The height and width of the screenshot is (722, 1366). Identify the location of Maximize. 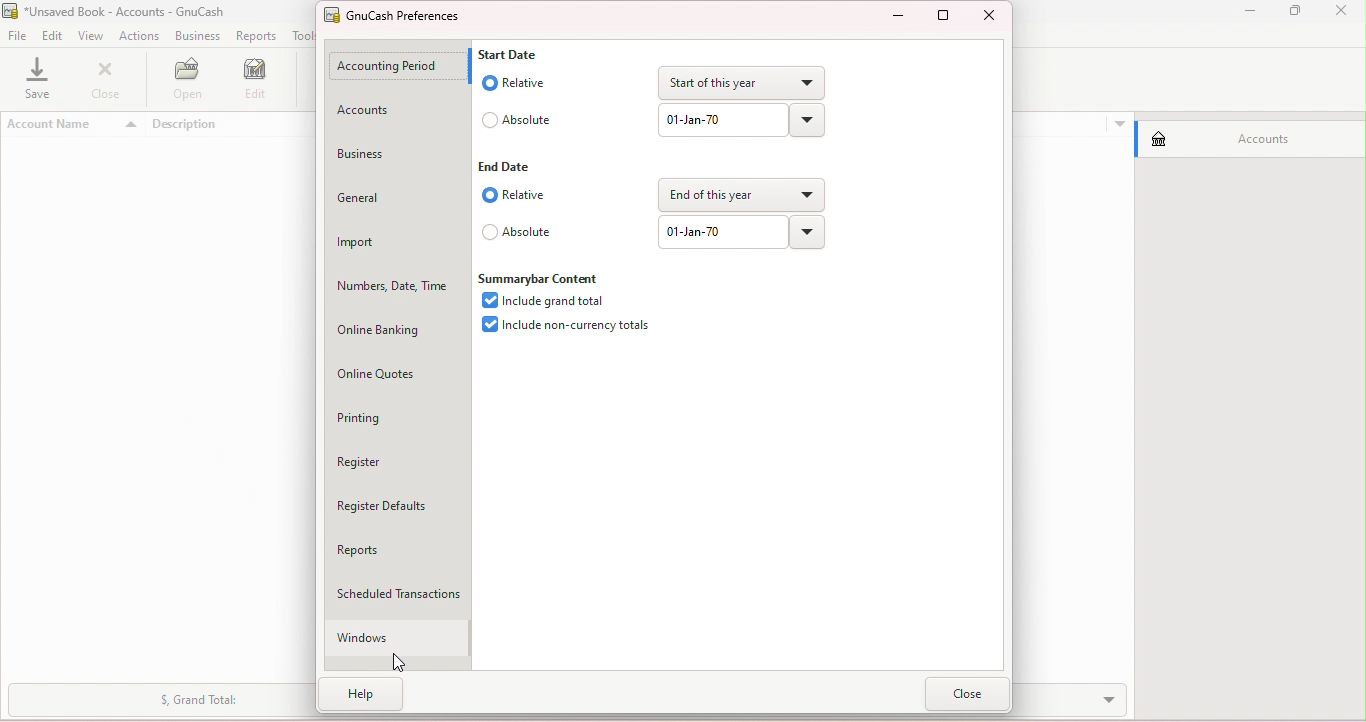
(1302, 14).